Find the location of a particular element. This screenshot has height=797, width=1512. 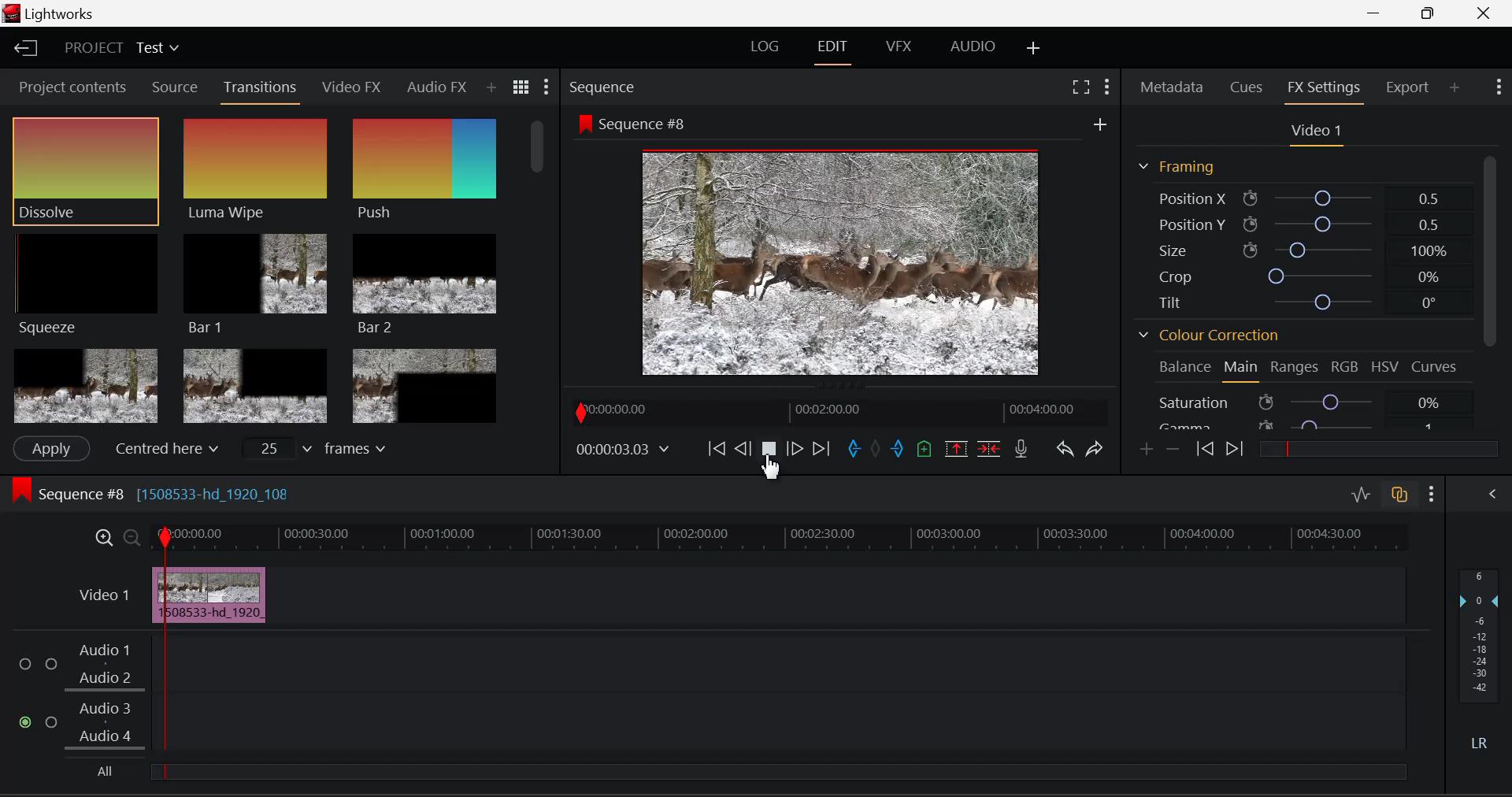

Delete/Cut is located at coordinates (992, 447).